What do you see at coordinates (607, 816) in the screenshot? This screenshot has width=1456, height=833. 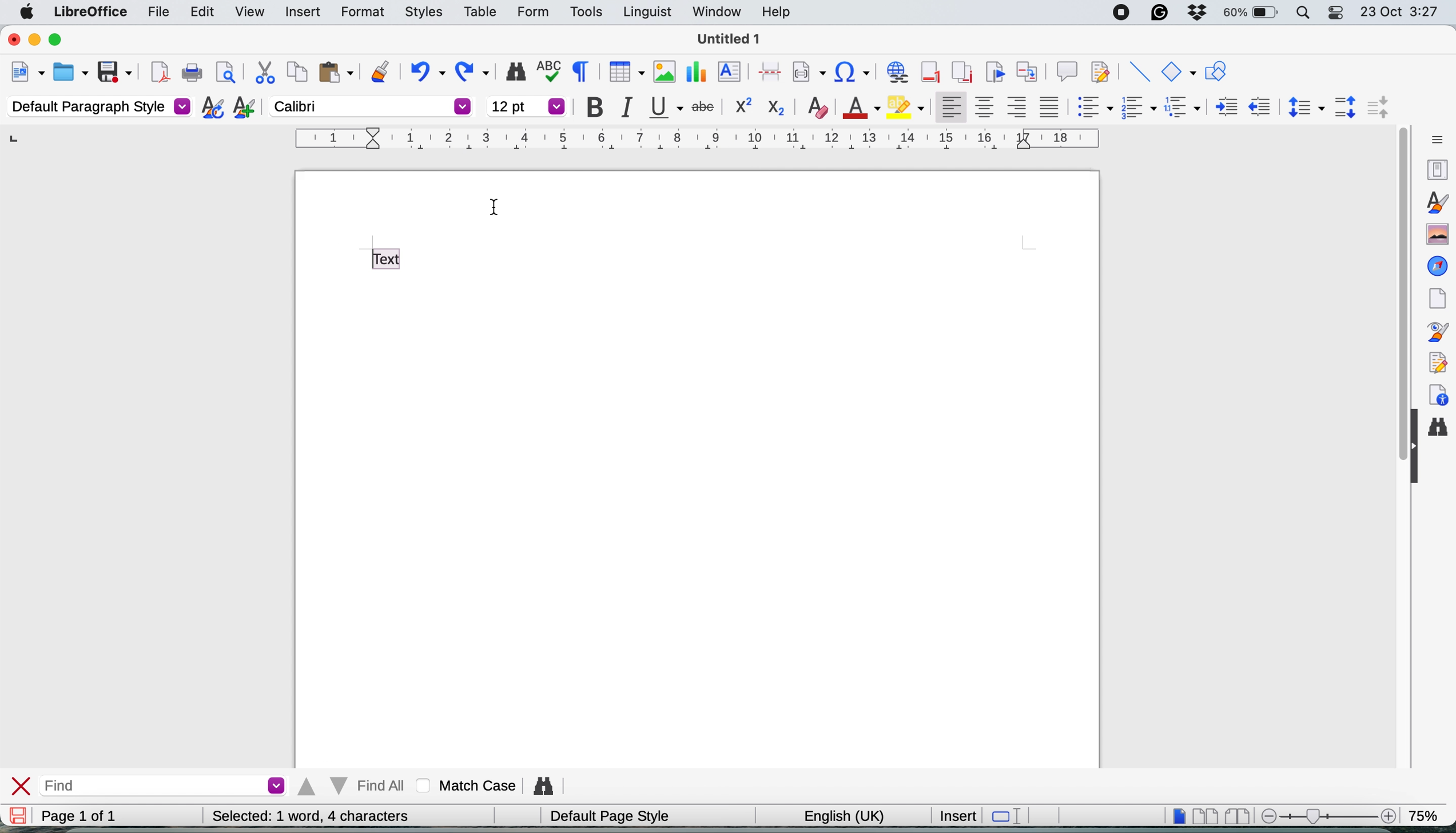 I see `default page style` at bounding box center [607, 816].